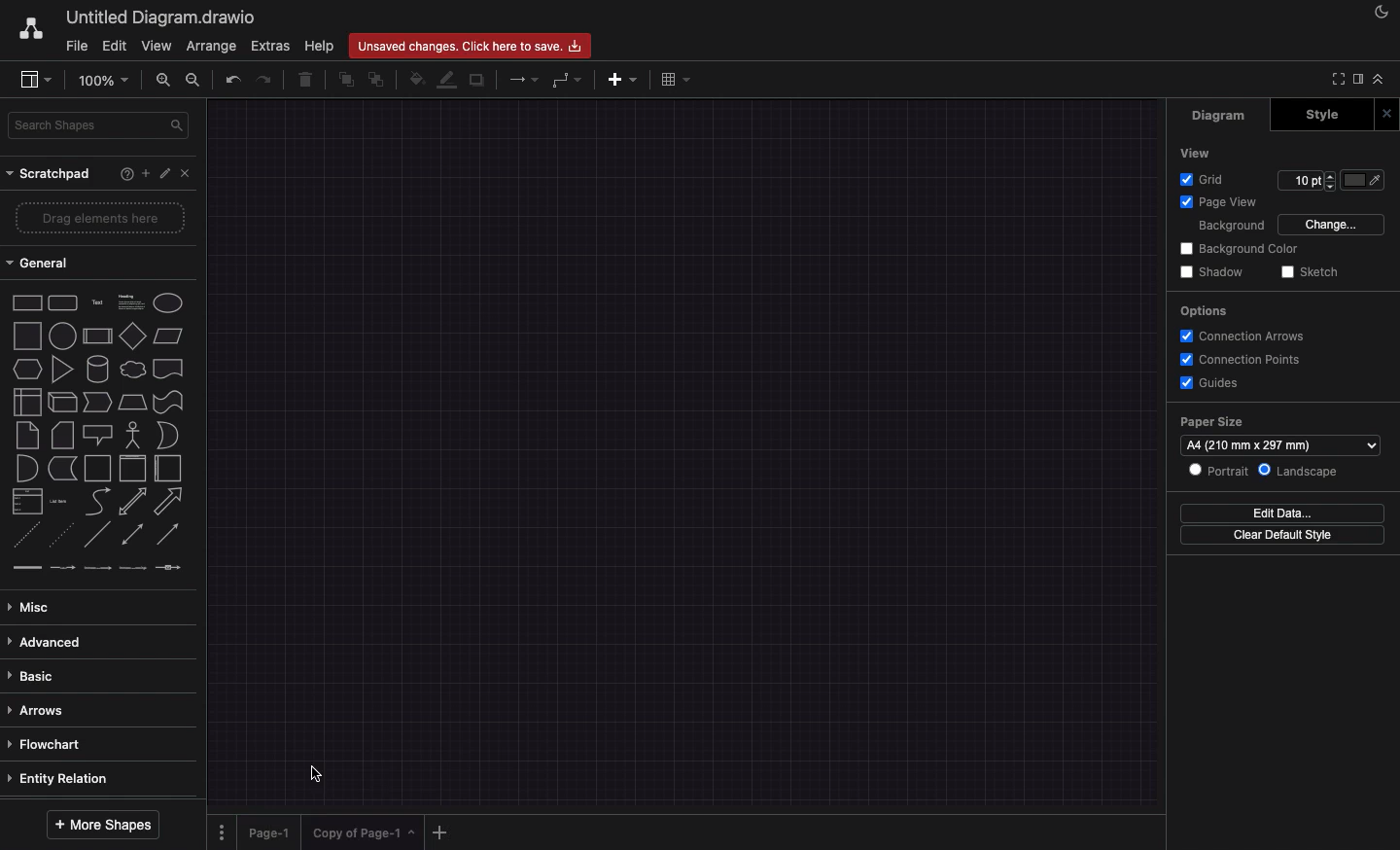 This screenshot has width=1400, height=850. Describe the element at coordinates (376, 81) in the screenshot. I see `to back` at that location.